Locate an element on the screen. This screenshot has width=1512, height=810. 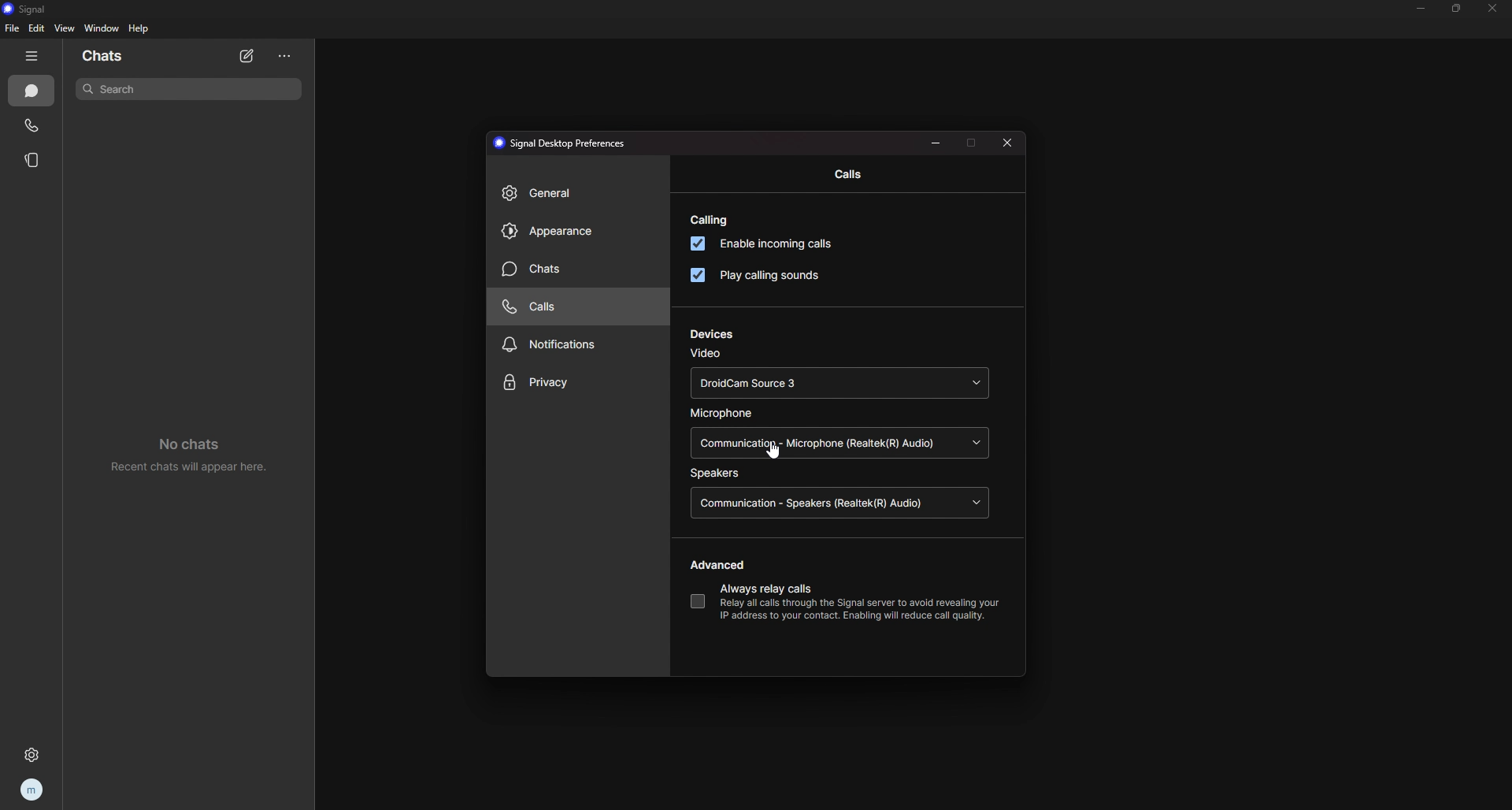
edit is located at coordinates (38, 28).